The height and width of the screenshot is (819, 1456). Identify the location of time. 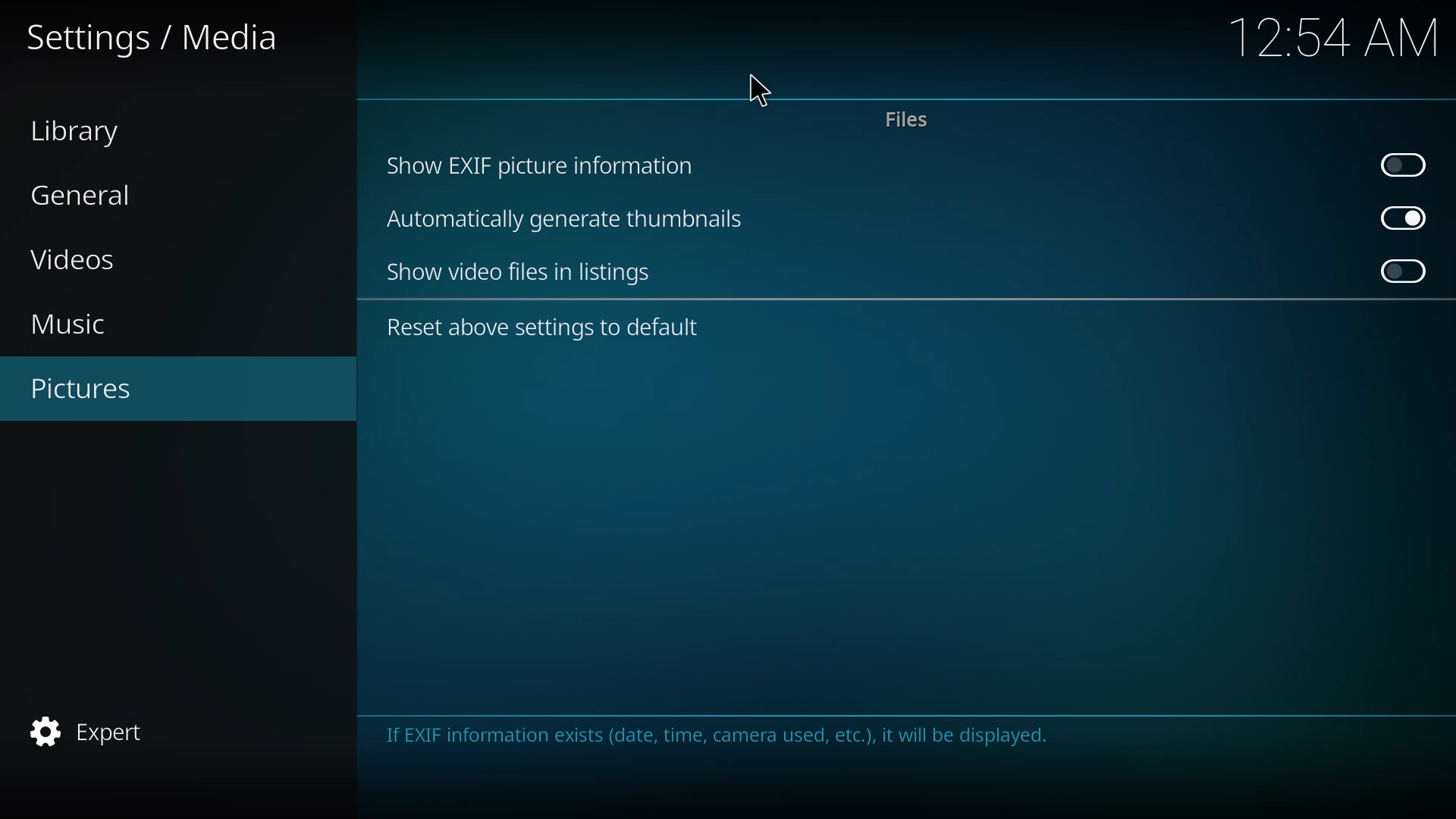
(1331, 37).